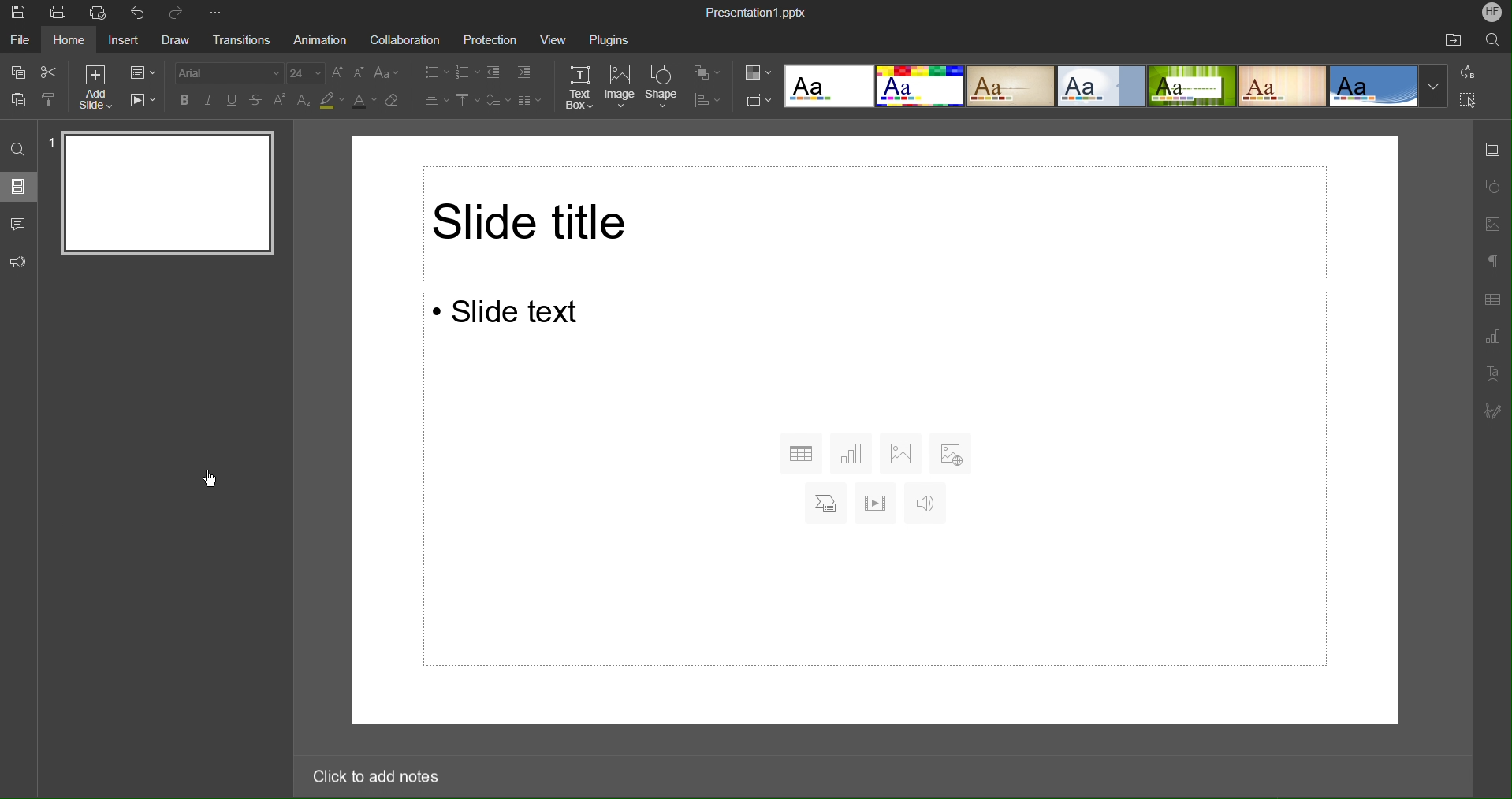 The height and width of the screenshot is (799, 1512). I want to click on change case, so click(388, 72).